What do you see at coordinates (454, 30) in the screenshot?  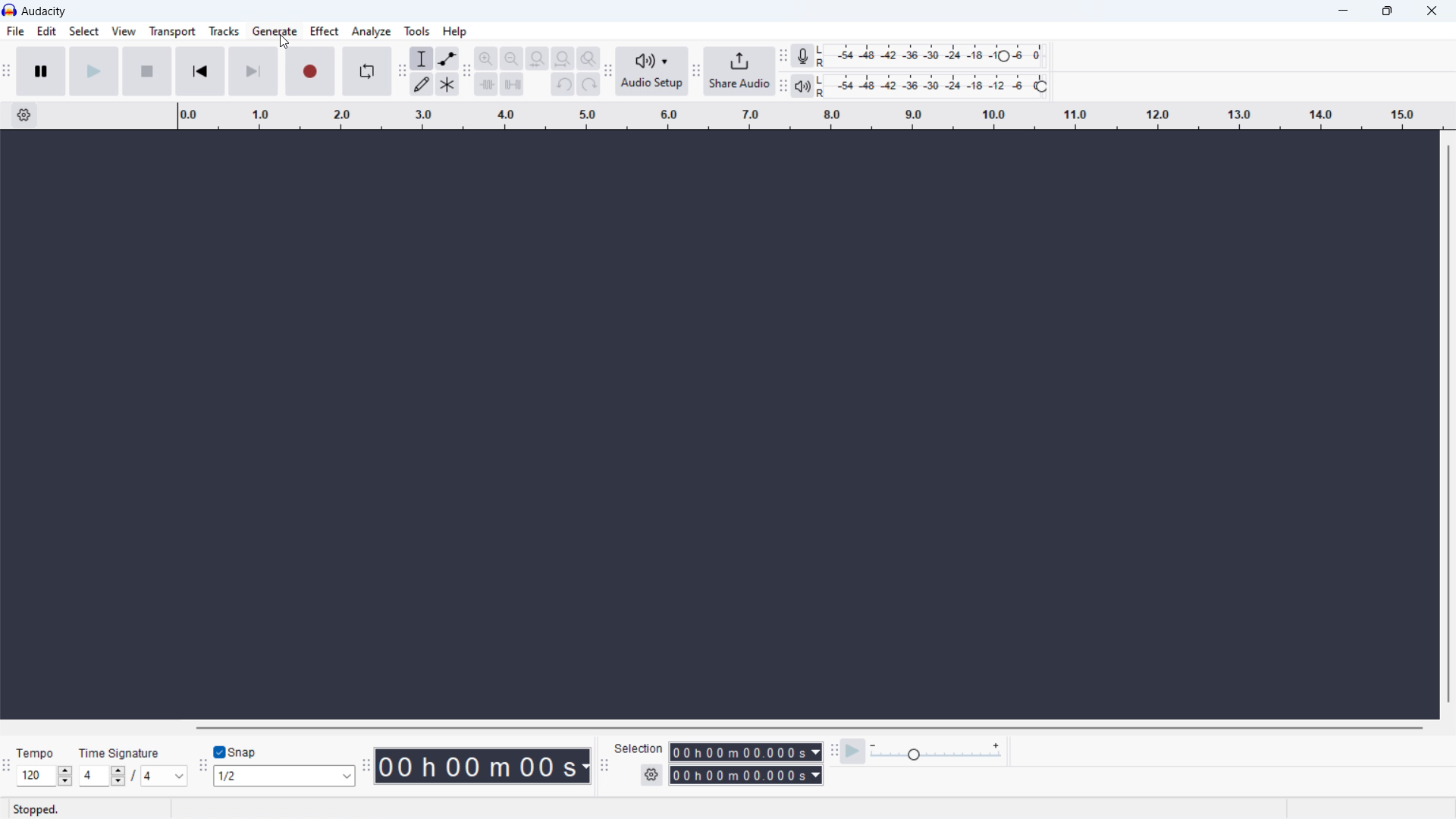 I see `help` at bounding box center [454, 30].